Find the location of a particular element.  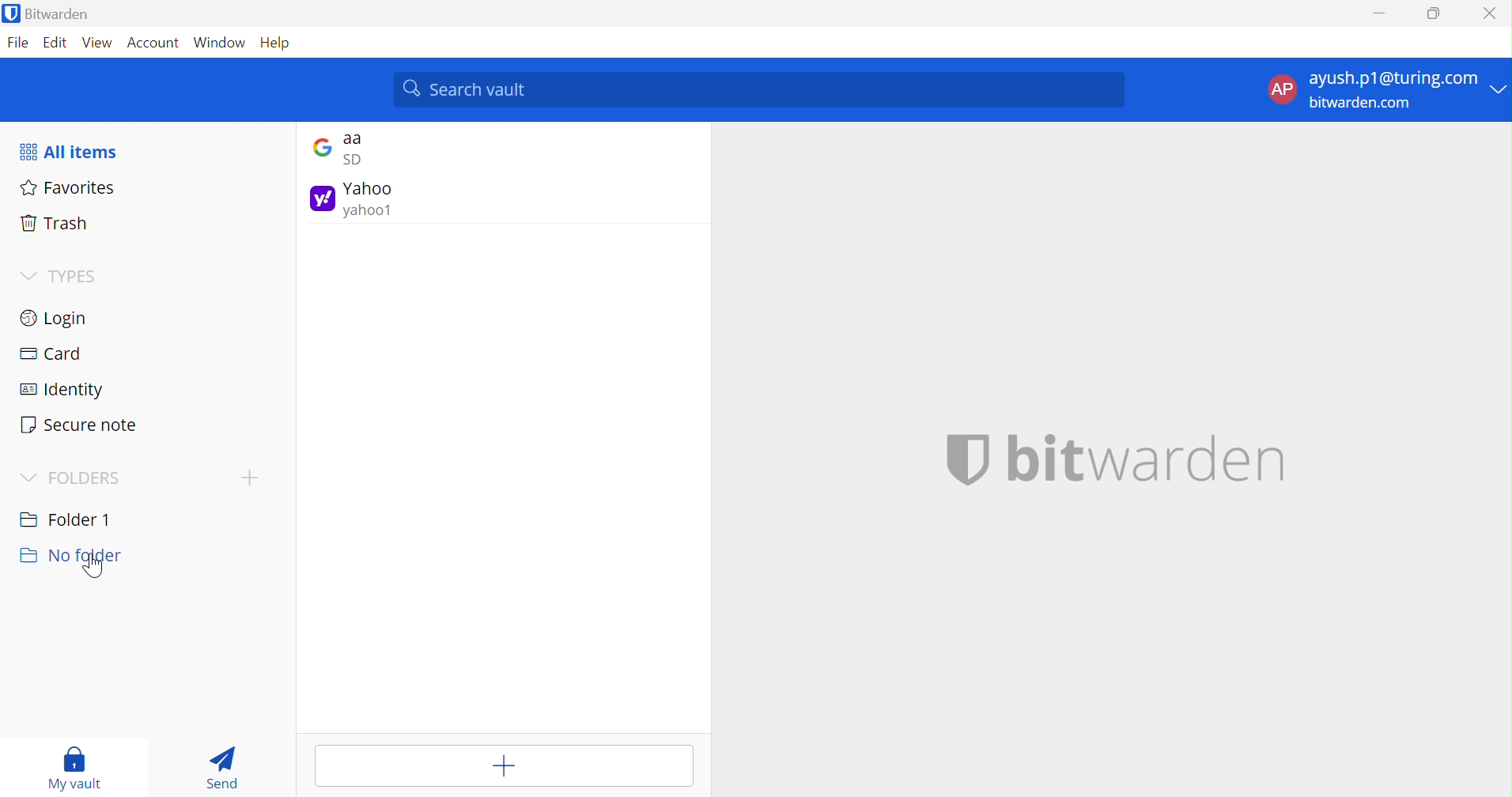

 is located at coordinates (47, 14).